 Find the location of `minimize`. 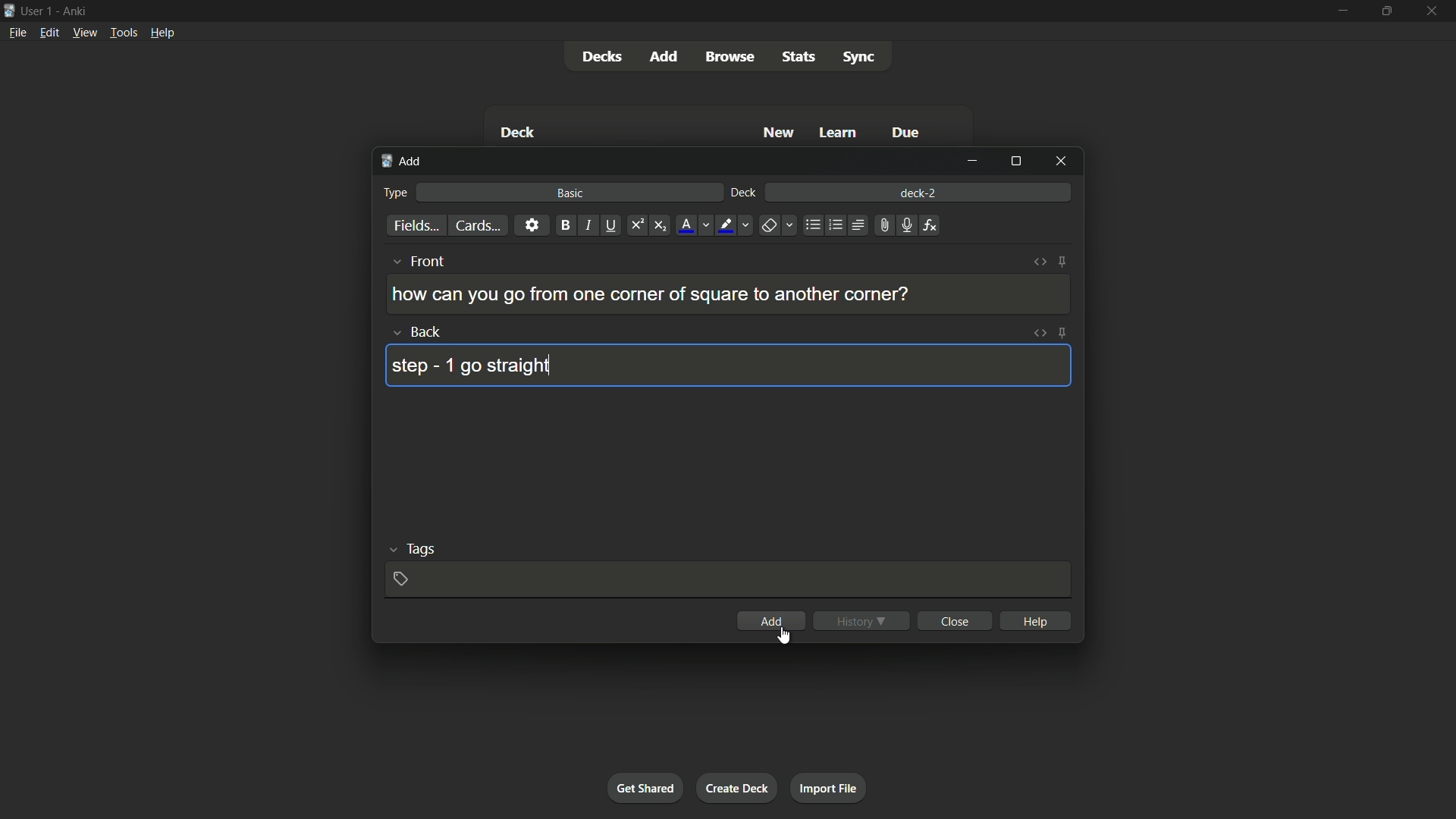

minimize is located at coordinates (1345, 10).